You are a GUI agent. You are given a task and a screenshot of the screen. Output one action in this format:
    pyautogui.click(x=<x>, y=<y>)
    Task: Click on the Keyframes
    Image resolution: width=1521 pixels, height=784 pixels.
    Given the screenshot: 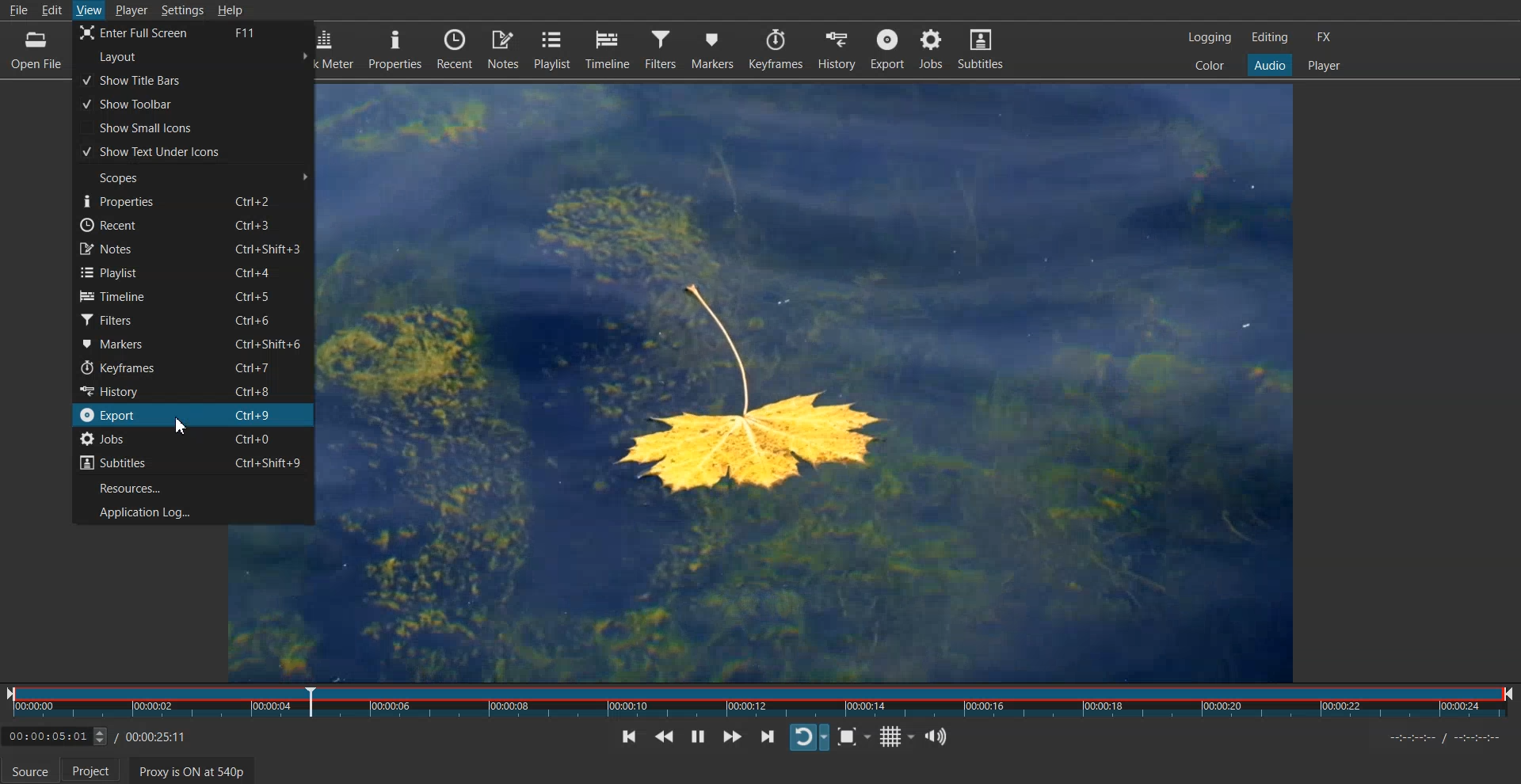 What is the action you would take?
    pyautogui.click(x=776, y=48)
    